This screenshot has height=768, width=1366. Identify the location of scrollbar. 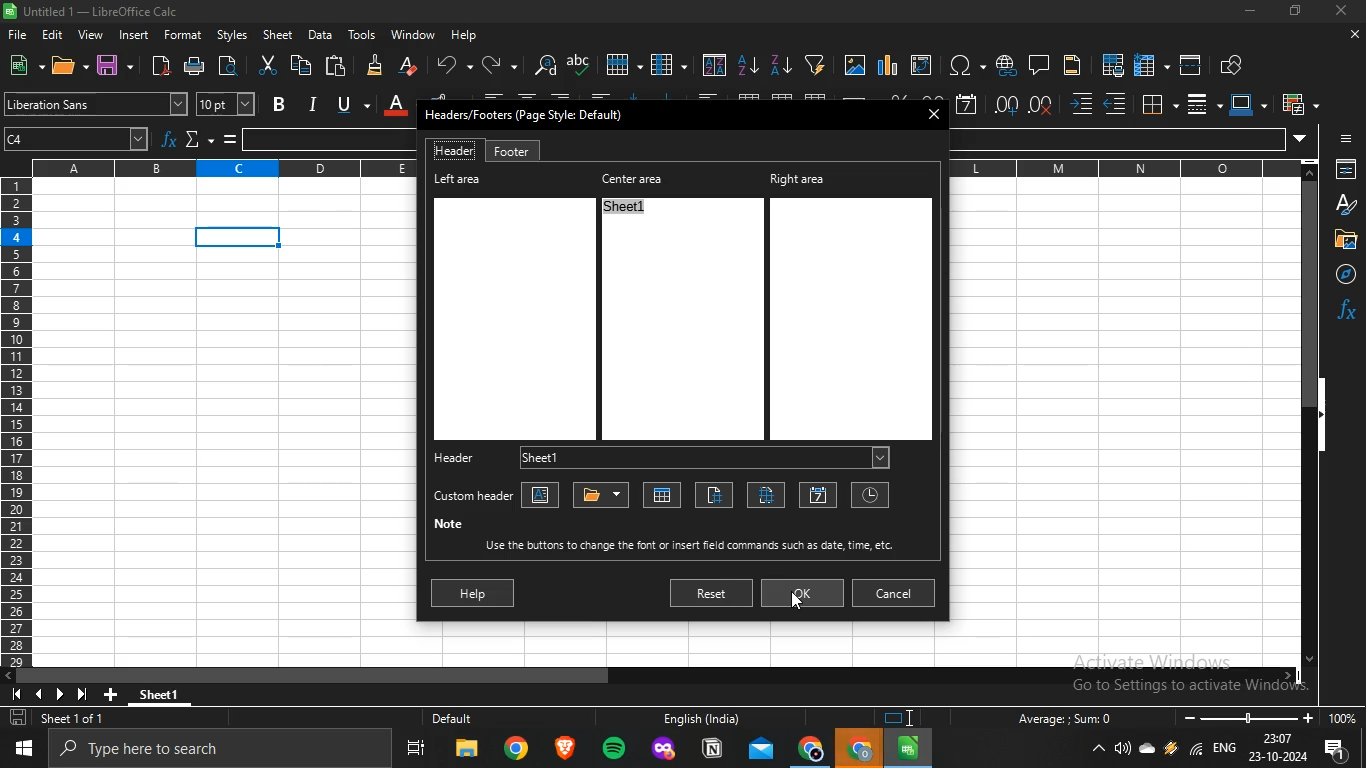
(652, 676).